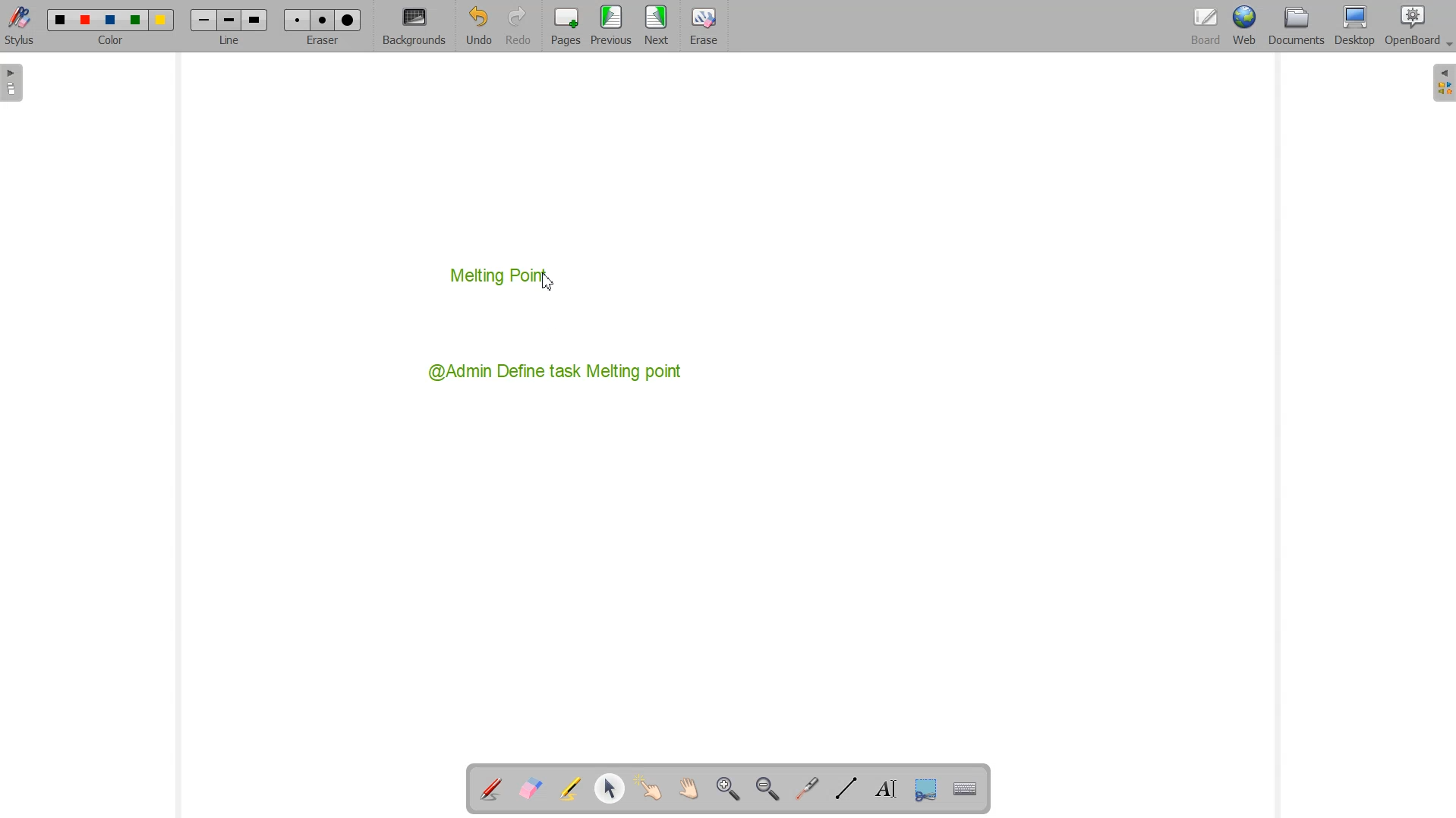  Describe the element at coordinates (414, 27) in the screenshot. I see `Background` at that location.